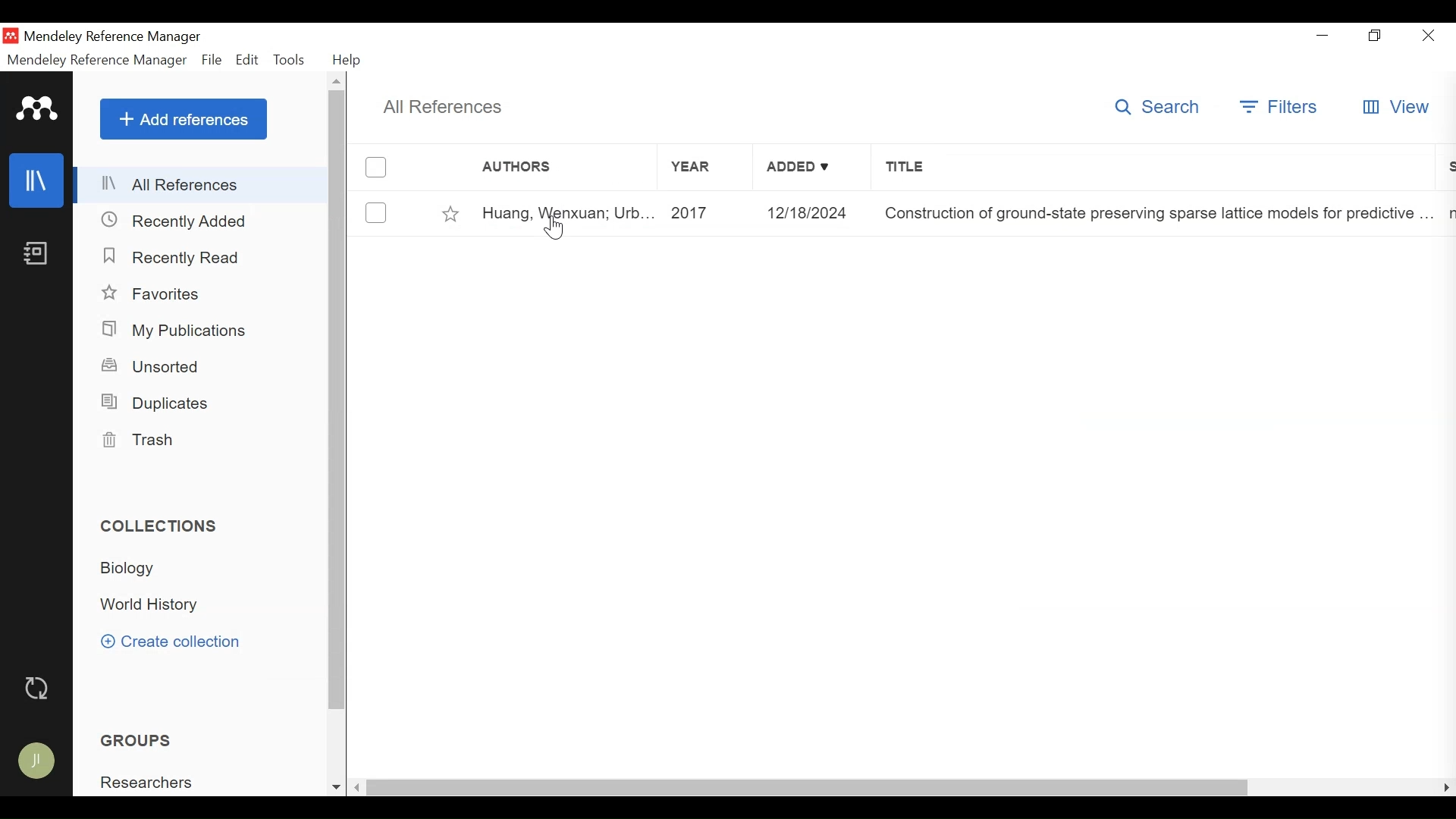 The width and height of the screenshot is (1456, 819). What do you see at coordinates (347, 60) in the screenshot?
I see `Help` at bounding box center [347, 60].